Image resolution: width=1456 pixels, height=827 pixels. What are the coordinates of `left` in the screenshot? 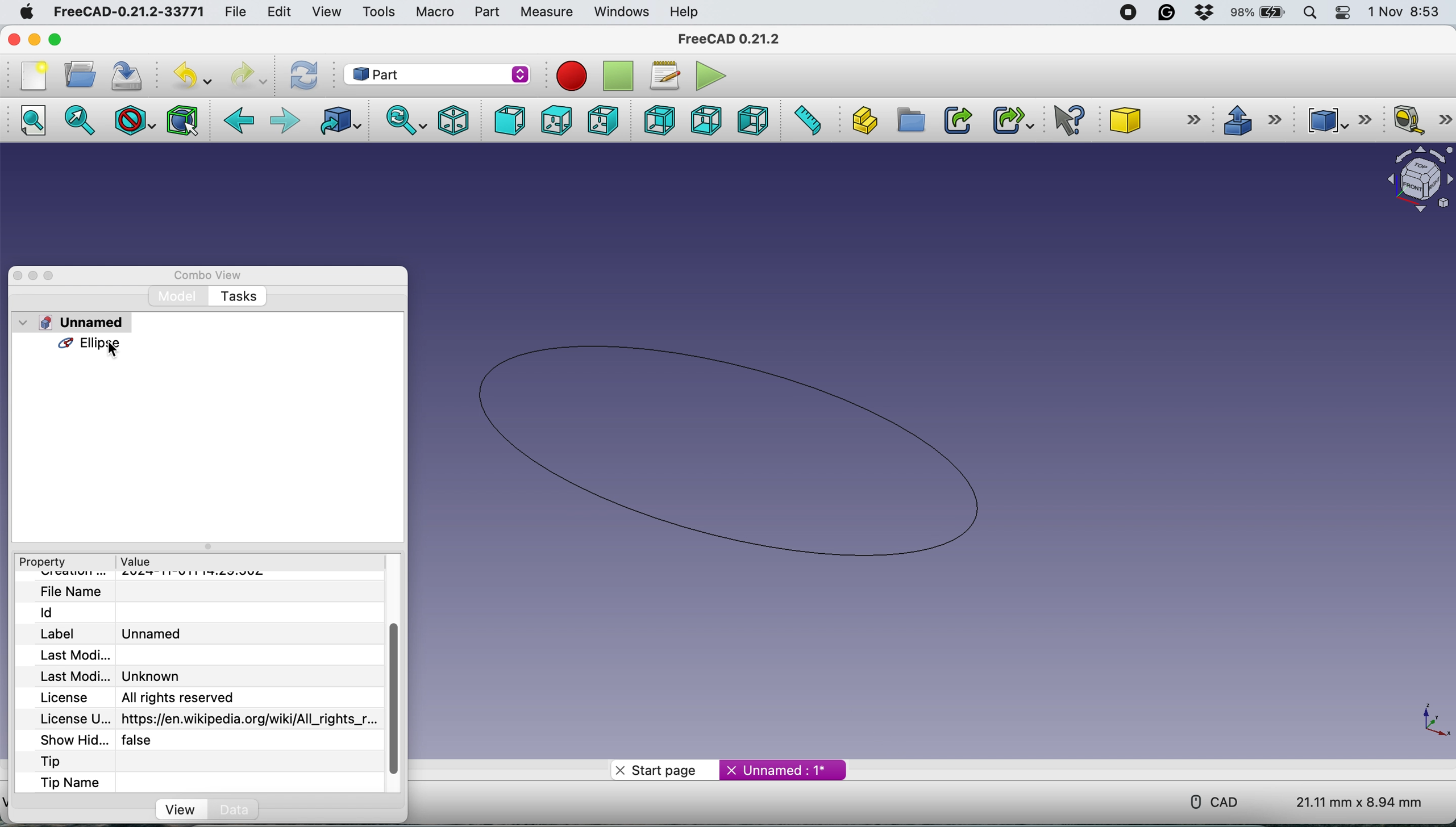 It's located at (752, 120).